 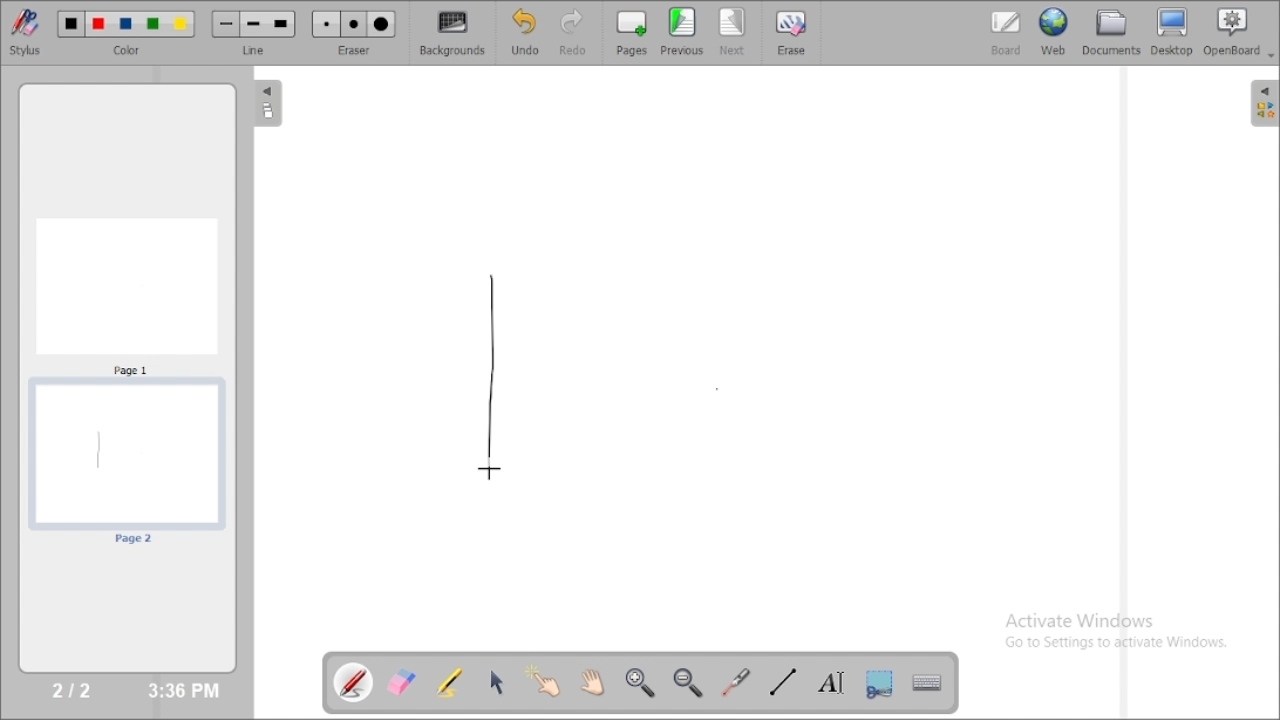 I want to click on previous, so click(x=682, y=31).